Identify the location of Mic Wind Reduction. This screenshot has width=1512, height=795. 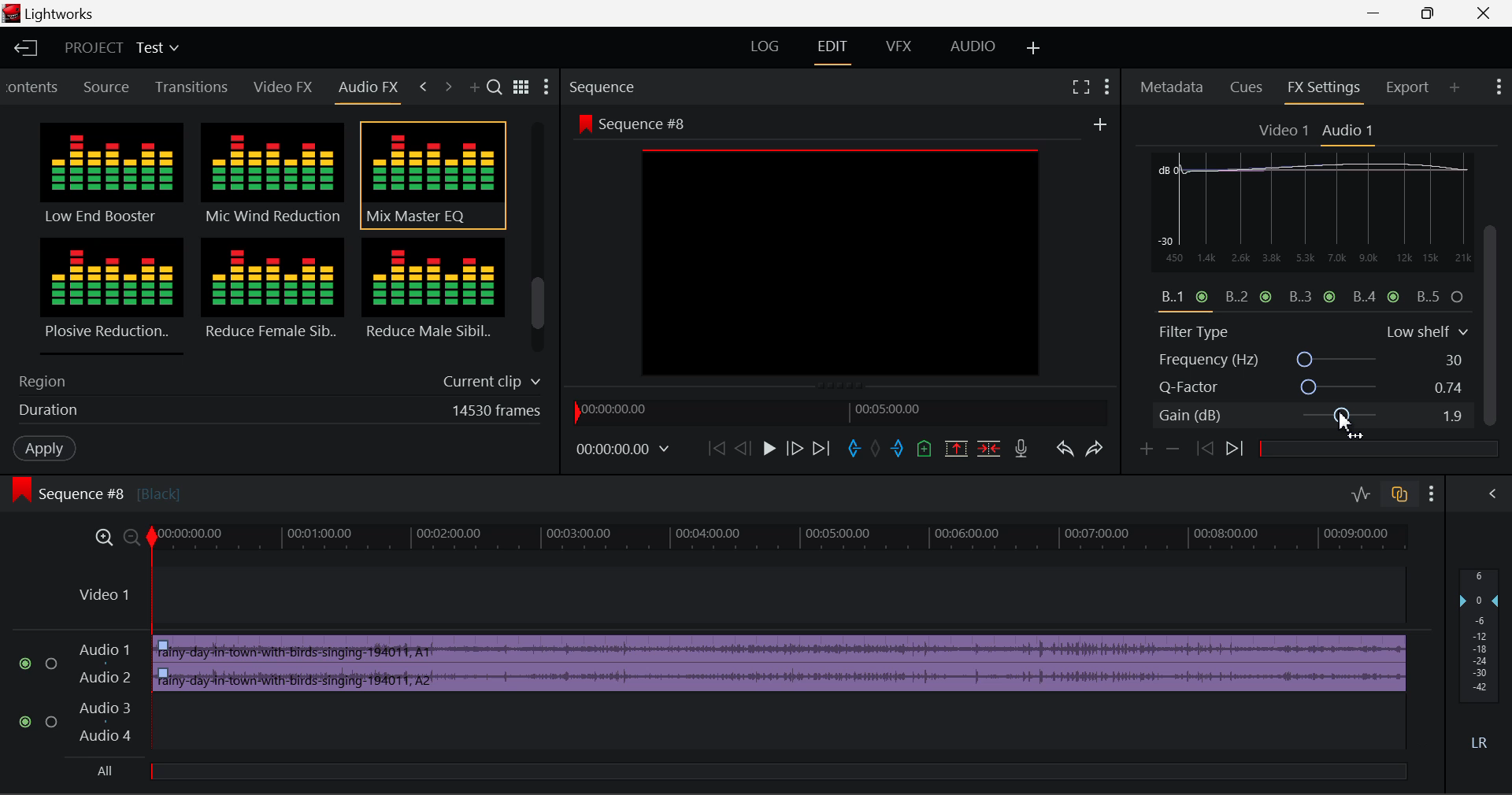
(273, 176).